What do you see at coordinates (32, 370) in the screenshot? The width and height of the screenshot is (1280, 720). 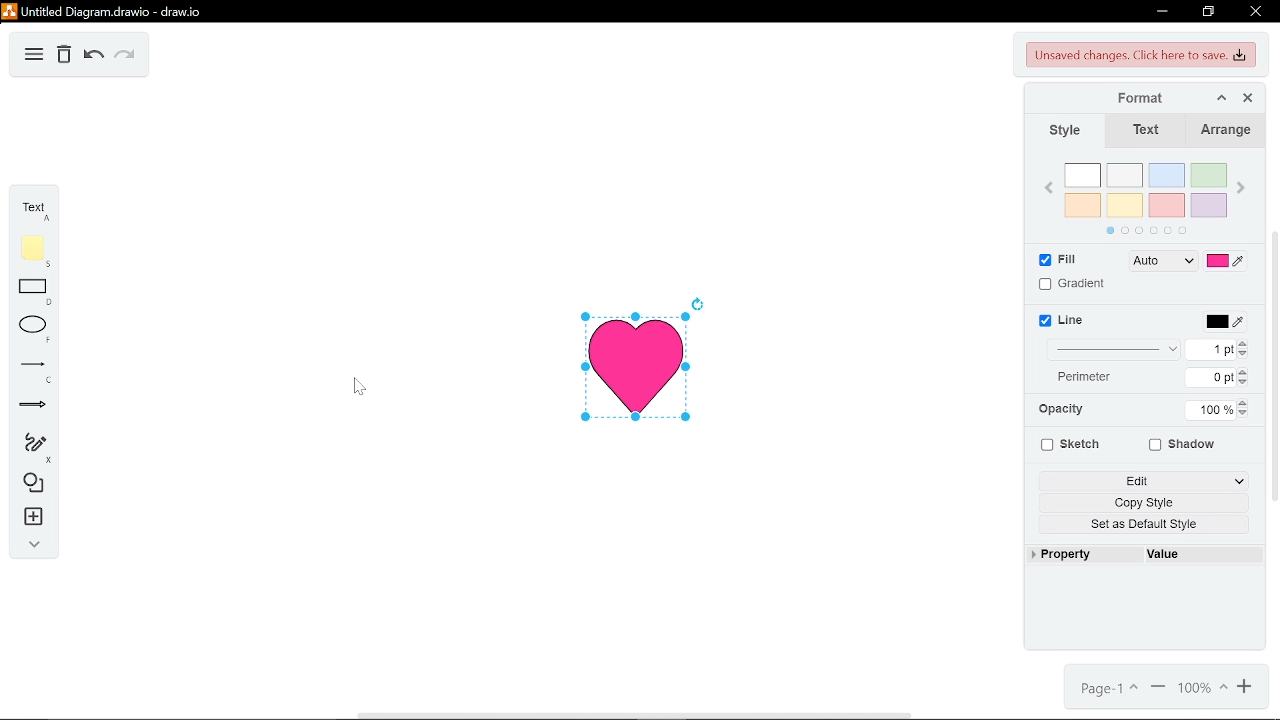 I see `lines` at bounding box center [32, 370].